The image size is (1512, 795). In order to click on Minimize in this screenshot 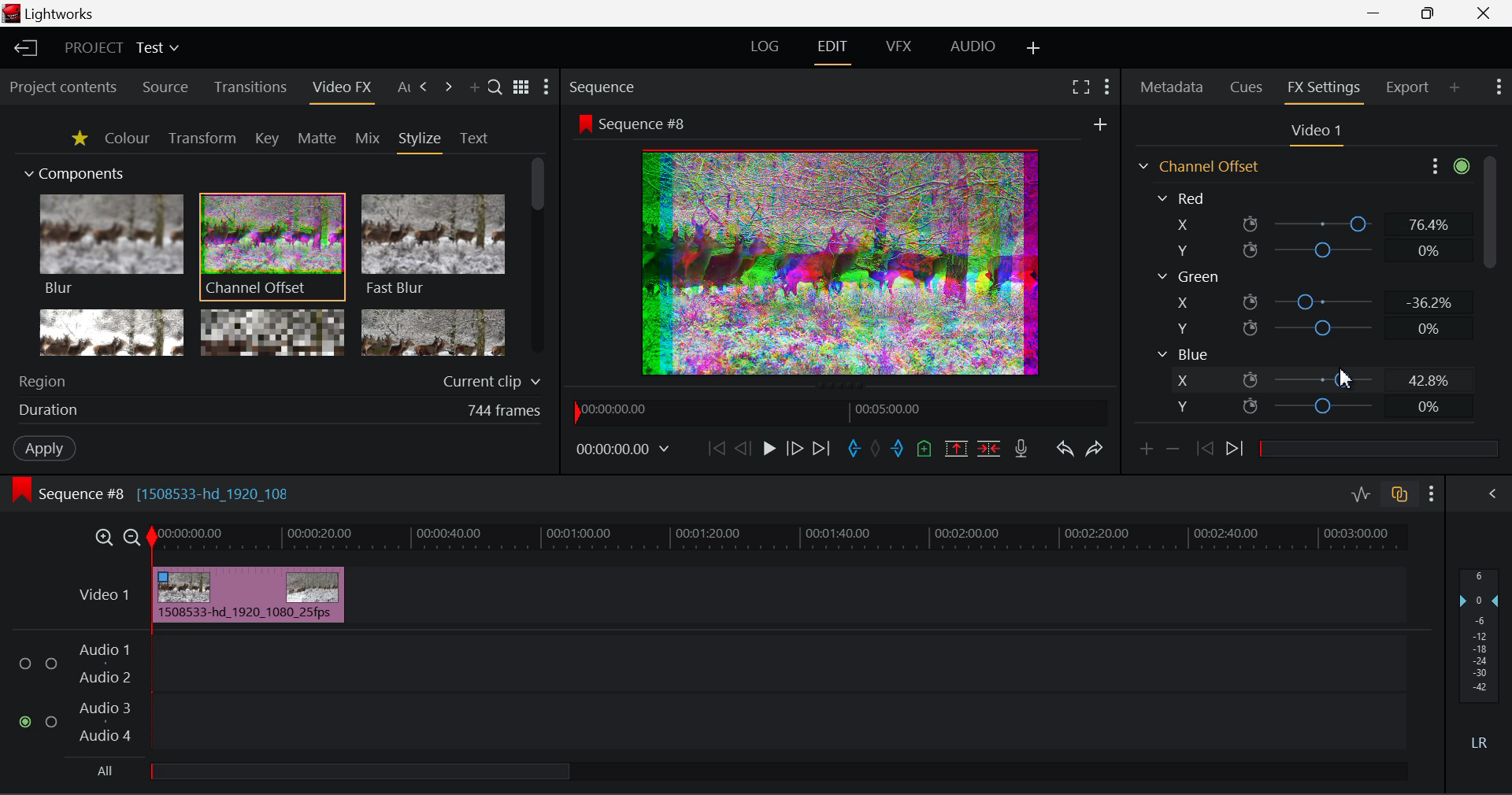, I will do `click(1431, 13)`.